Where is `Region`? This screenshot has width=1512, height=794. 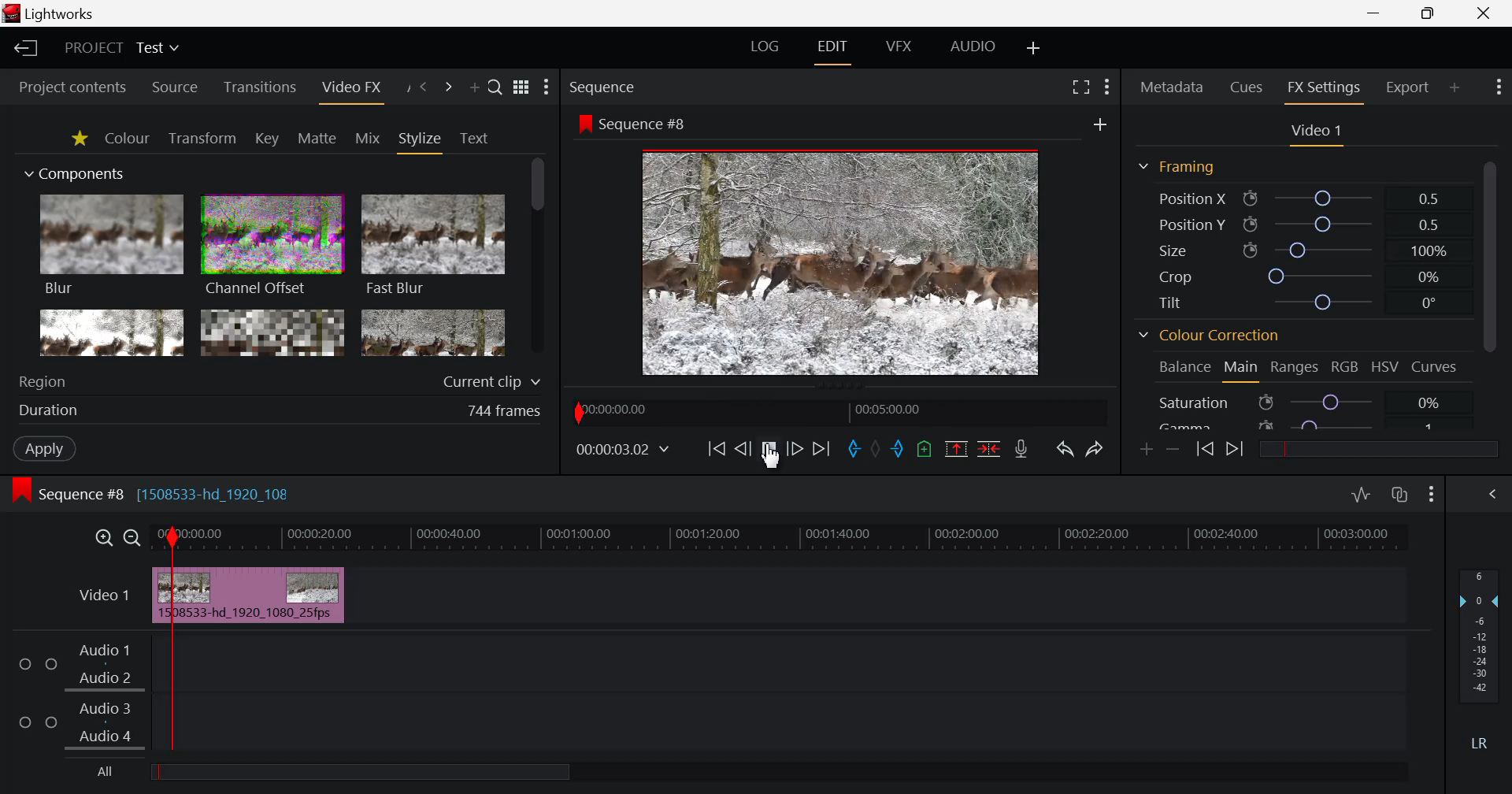 Region is located at coordinates (280, 380).